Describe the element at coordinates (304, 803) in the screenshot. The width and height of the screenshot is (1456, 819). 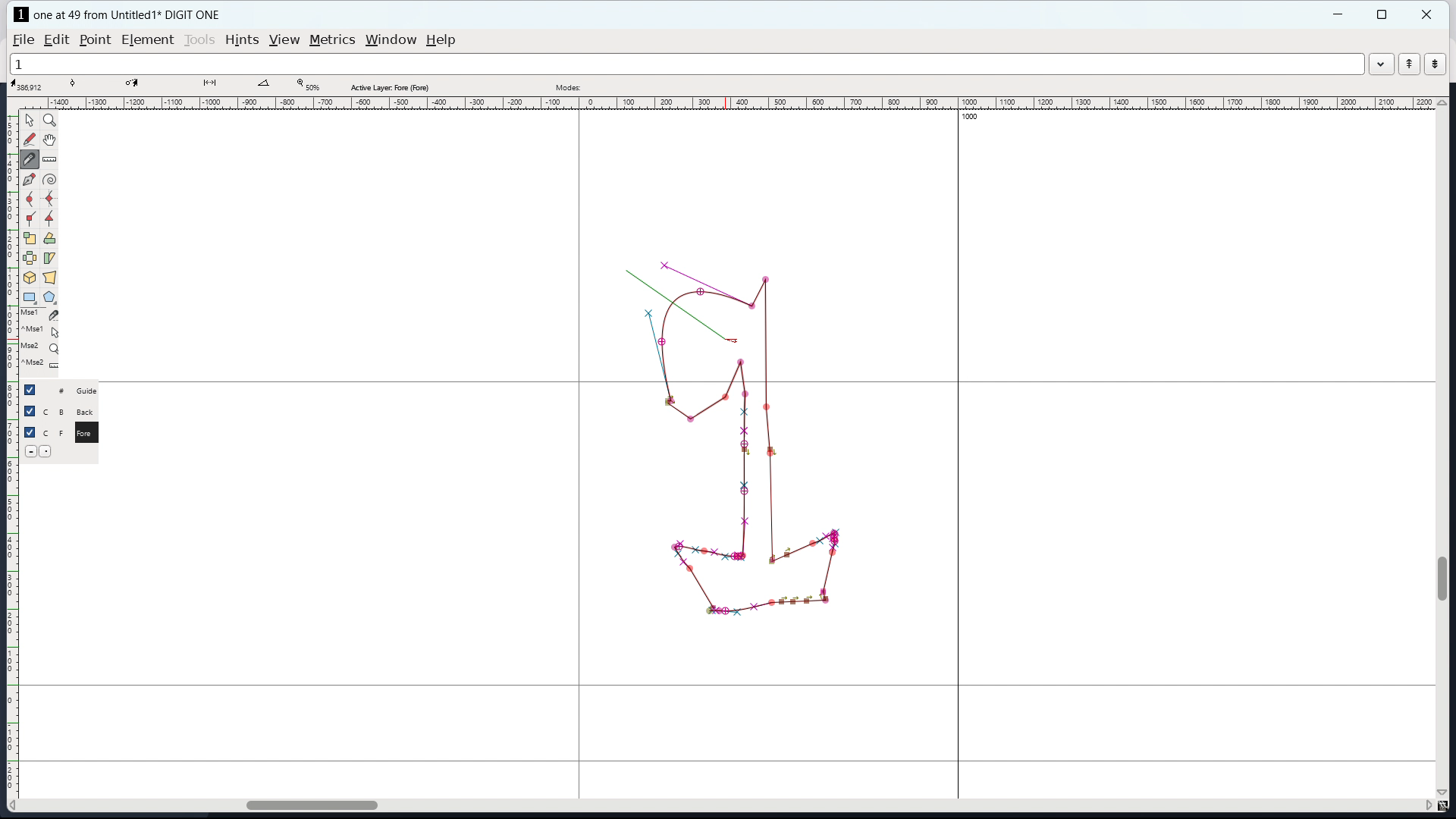
I see `horizontal scrollbar` at that location.